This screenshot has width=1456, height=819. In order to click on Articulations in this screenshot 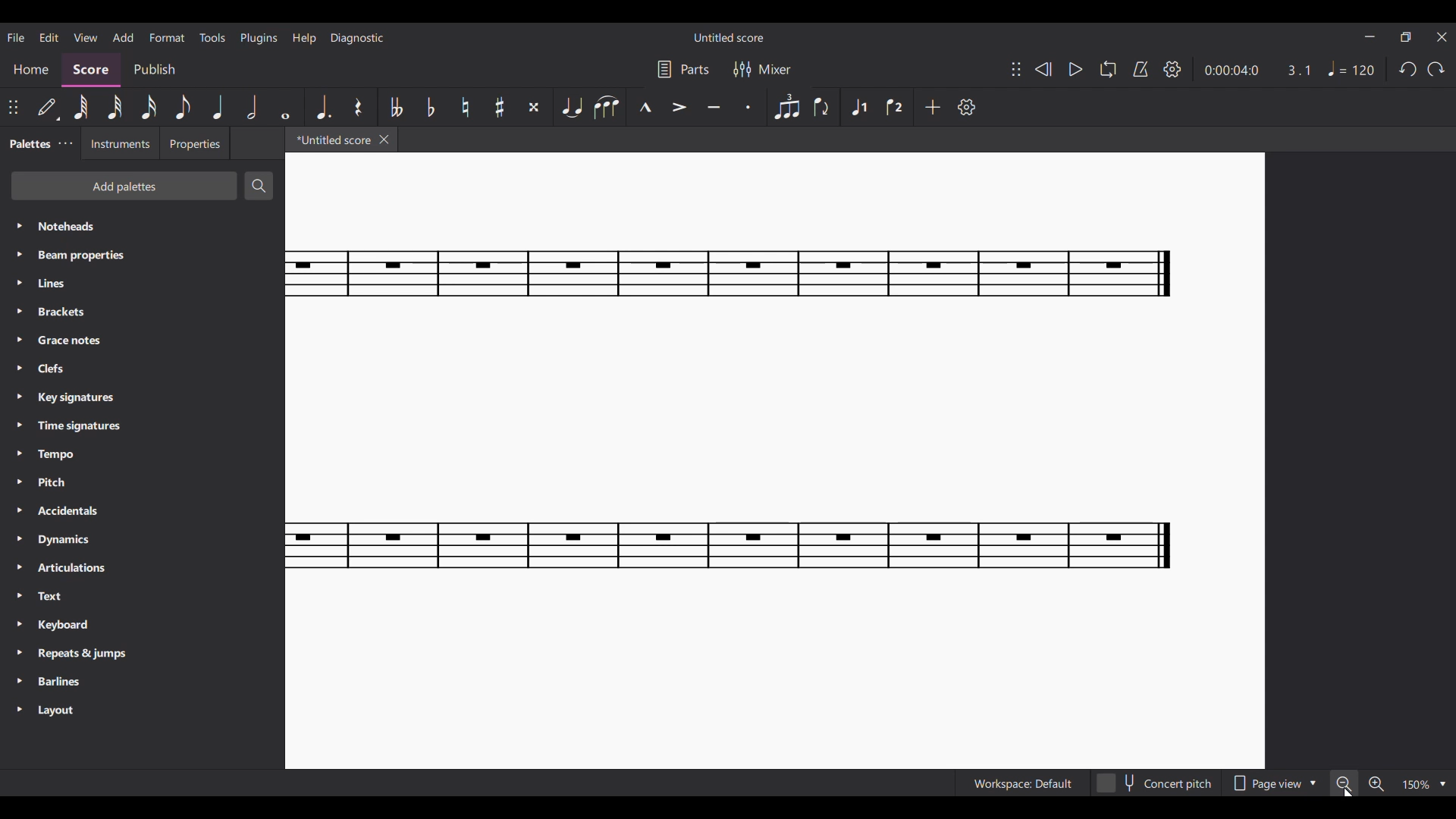, I will do `click(142, 568)`.